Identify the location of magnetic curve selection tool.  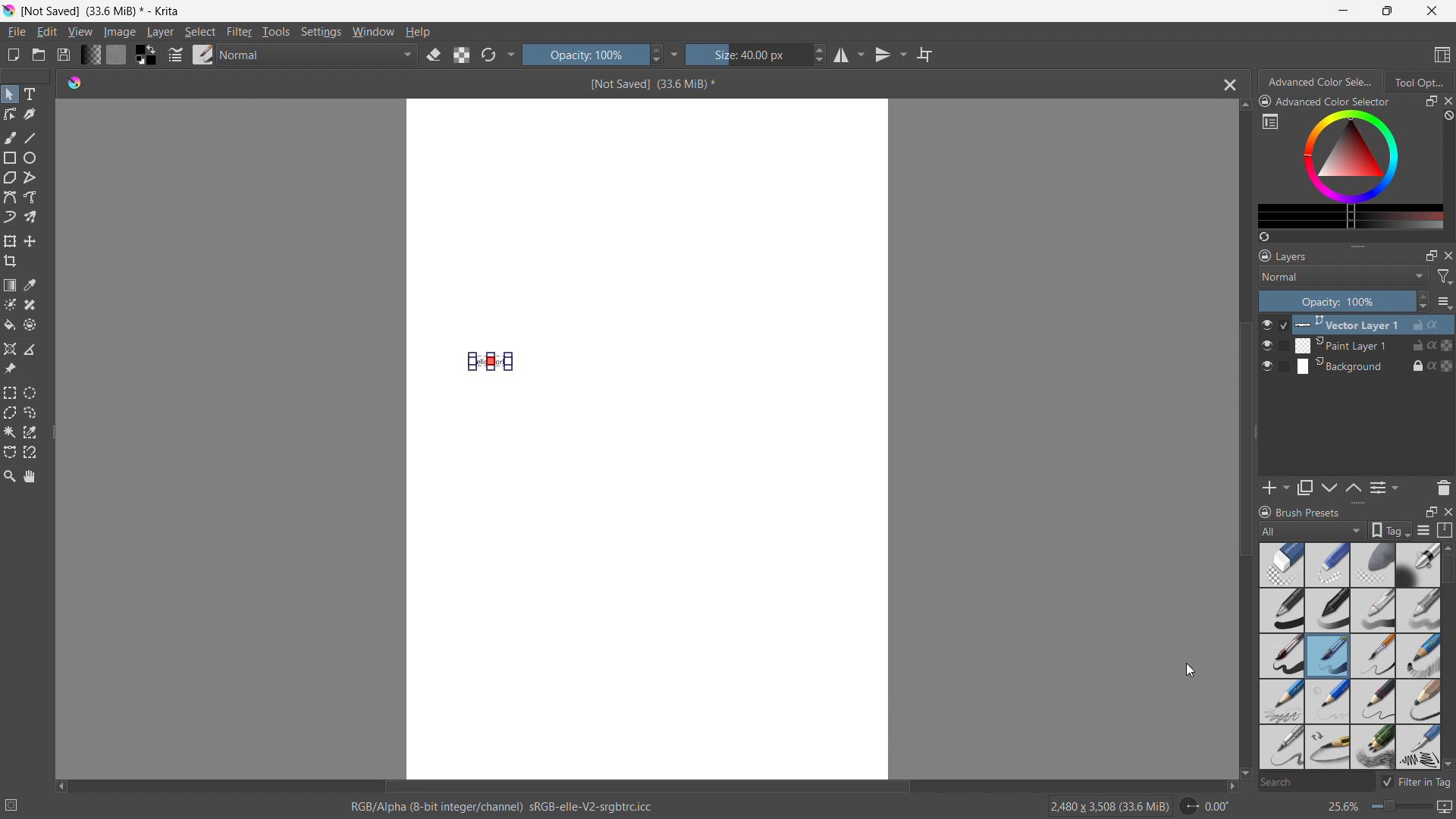
(30, 453).